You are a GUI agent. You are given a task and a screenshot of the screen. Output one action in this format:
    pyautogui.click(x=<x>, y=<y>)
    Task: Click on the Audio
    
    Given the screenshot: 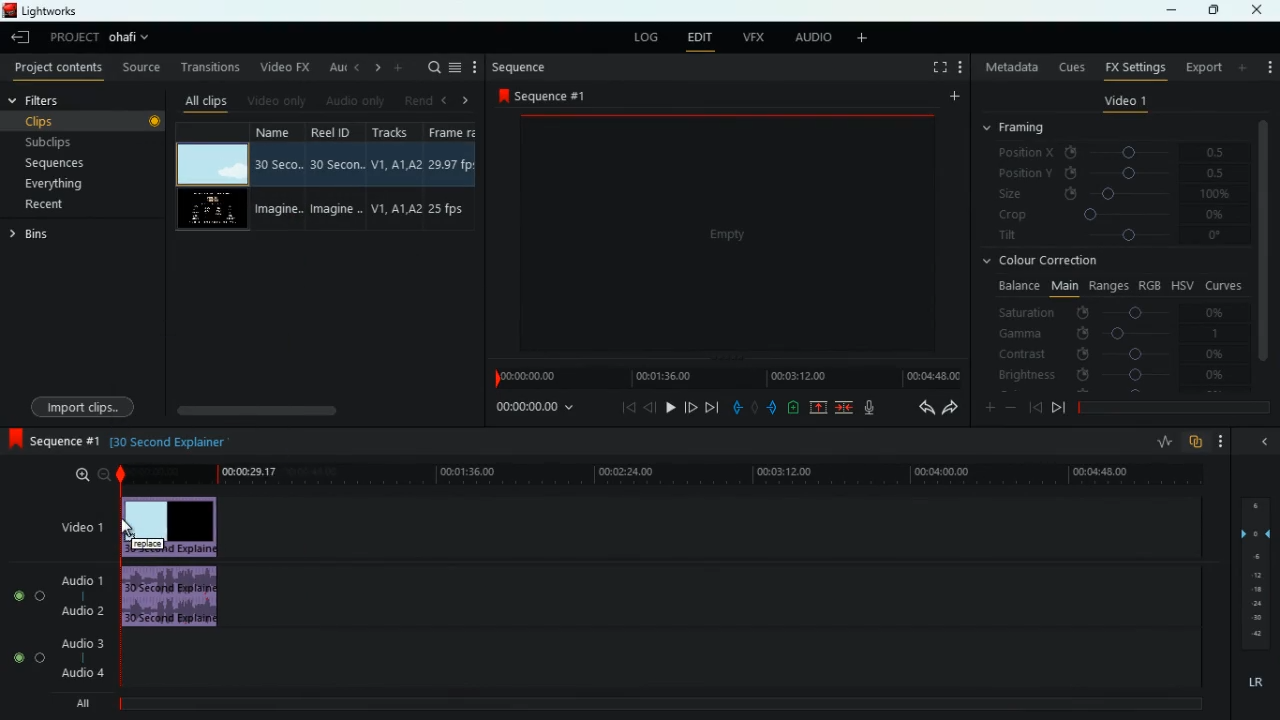 What is the action you would take?
    pyautogui.click(x=24, y=658)
    